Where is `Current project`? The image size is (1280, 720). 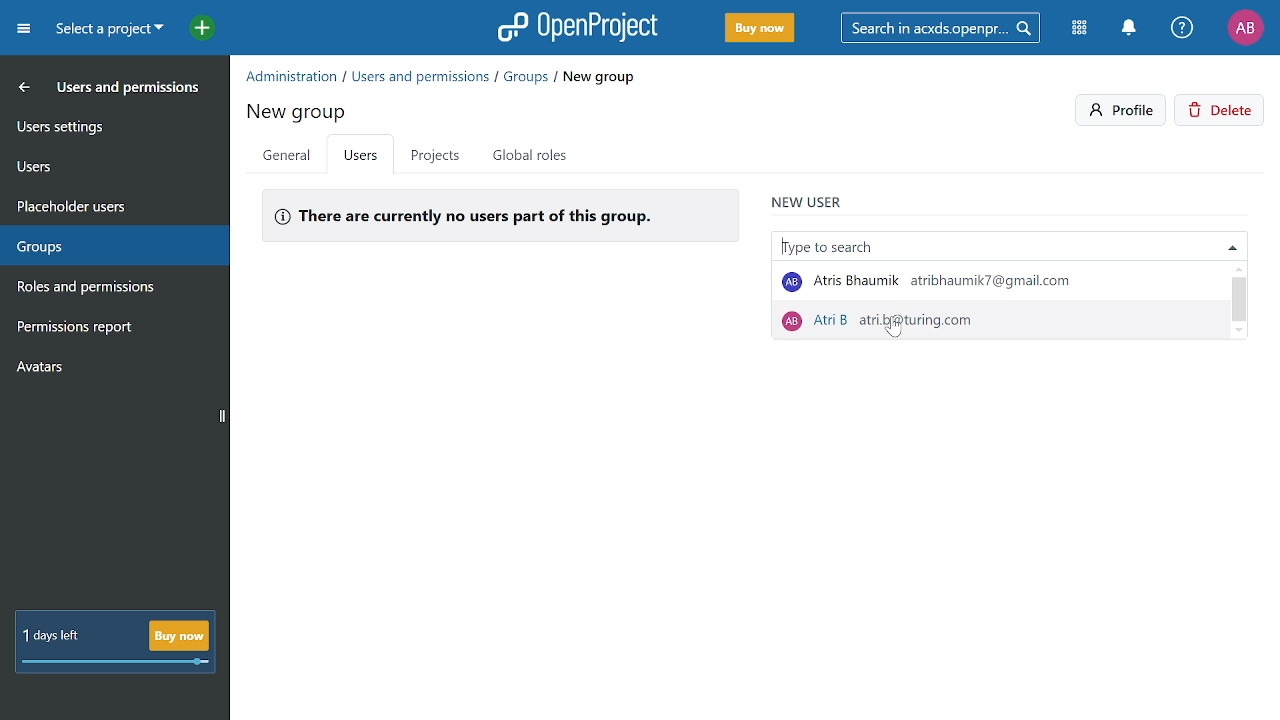
Current project is located at coordinates (107, 31).